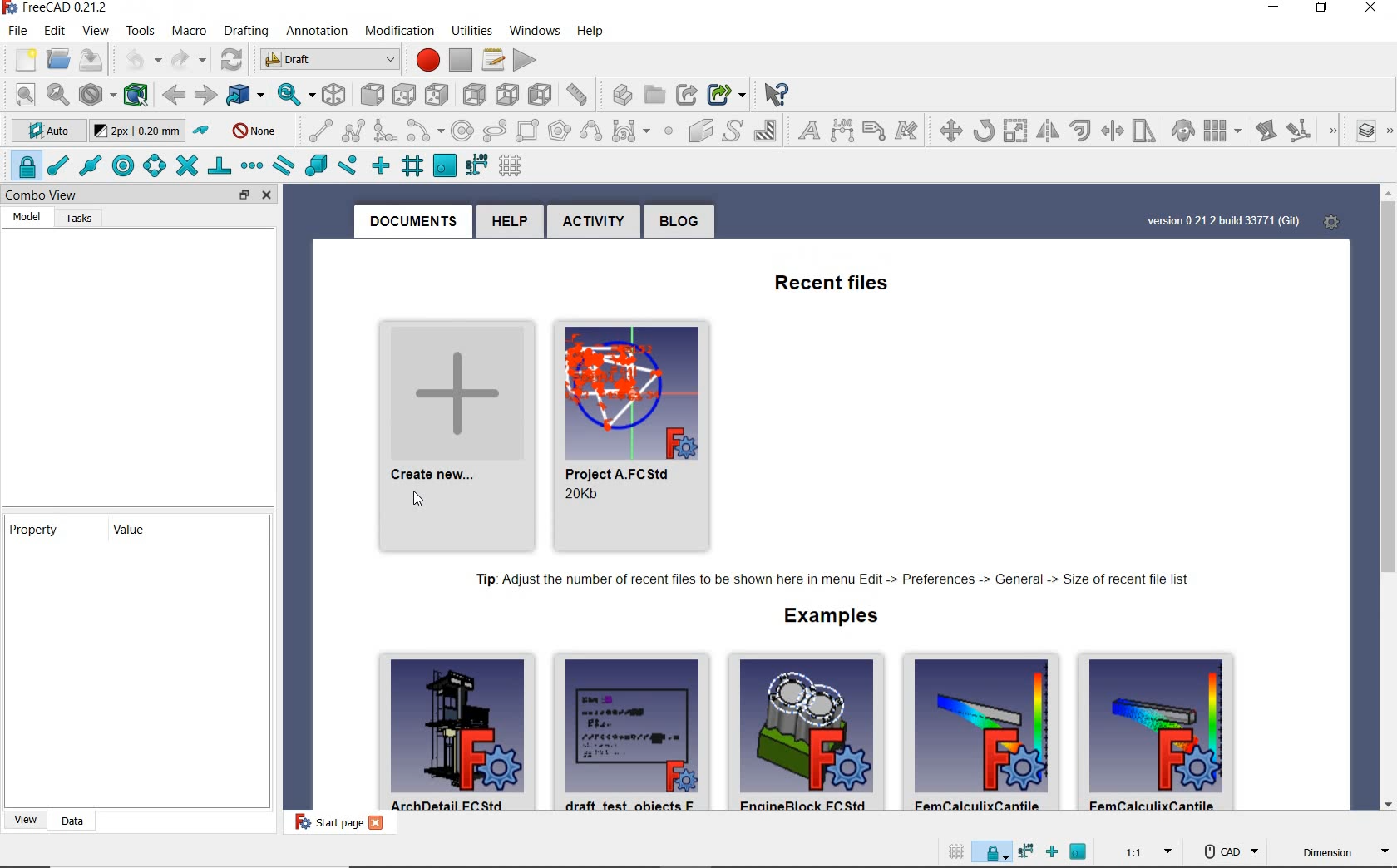  Describe the element at coordinates (330, 825) in the screenshot. I see `start page` at that location.